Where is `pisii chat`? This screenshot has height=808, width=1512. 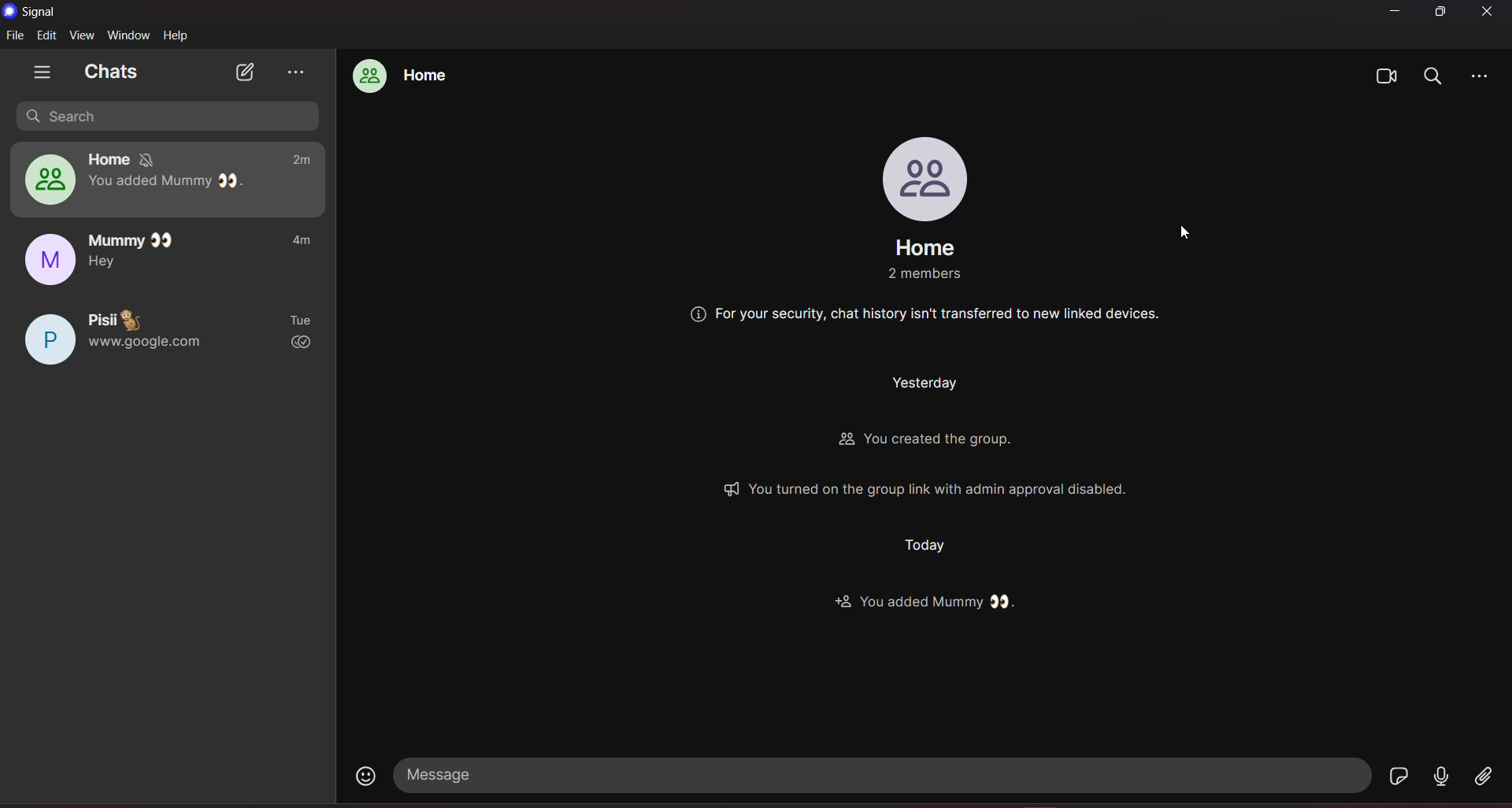 pisii chat is located at coordinates (169, 335).